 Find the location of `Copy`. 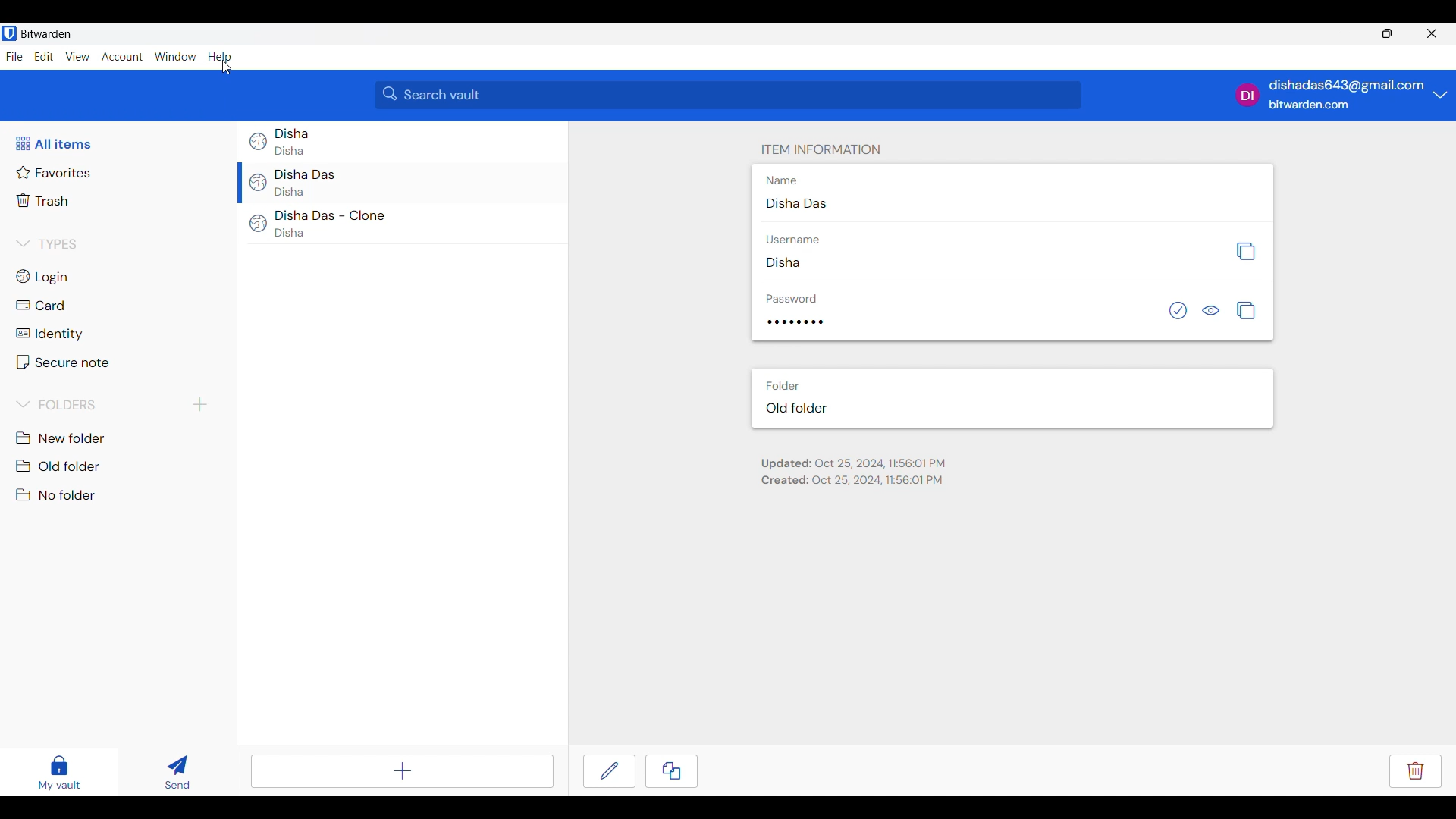

Copy is located at coordinates (671, 771).